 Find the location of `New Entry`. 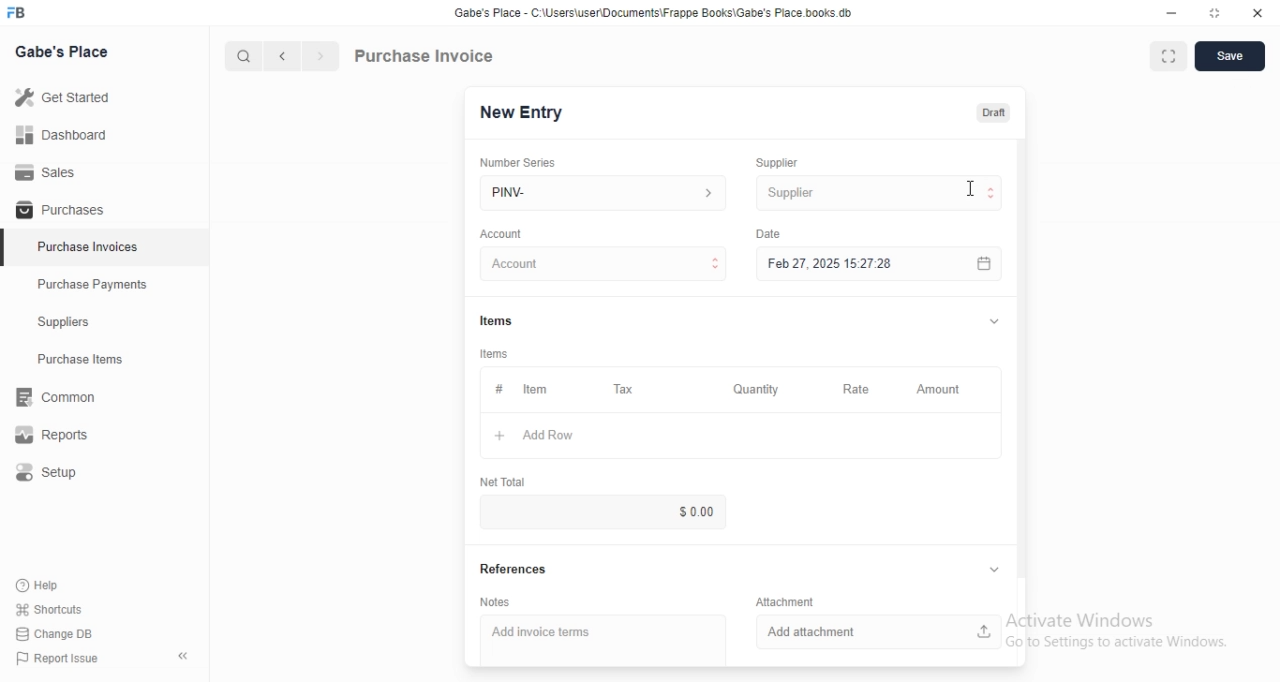

New Entry is located at coordinates (522, 113).